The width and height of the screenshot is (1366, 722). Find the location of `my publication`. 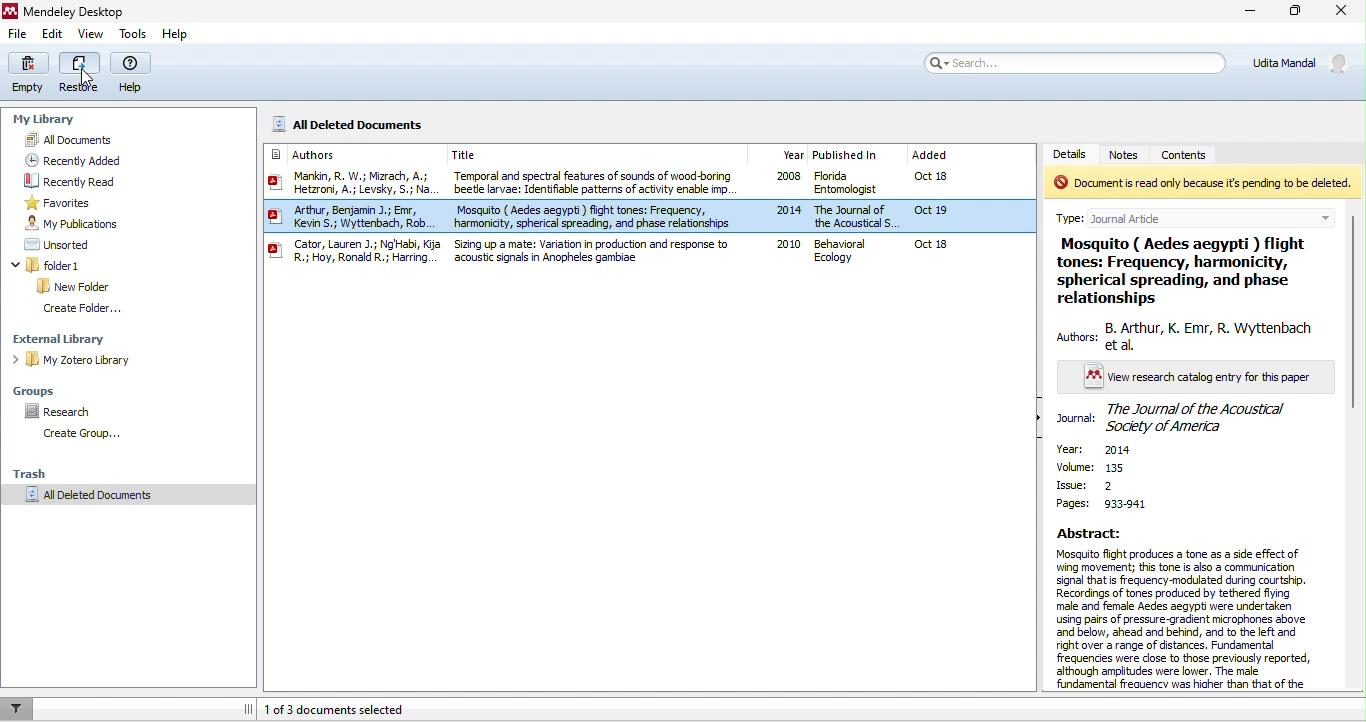

my publication is located at coordinates (80, 223).